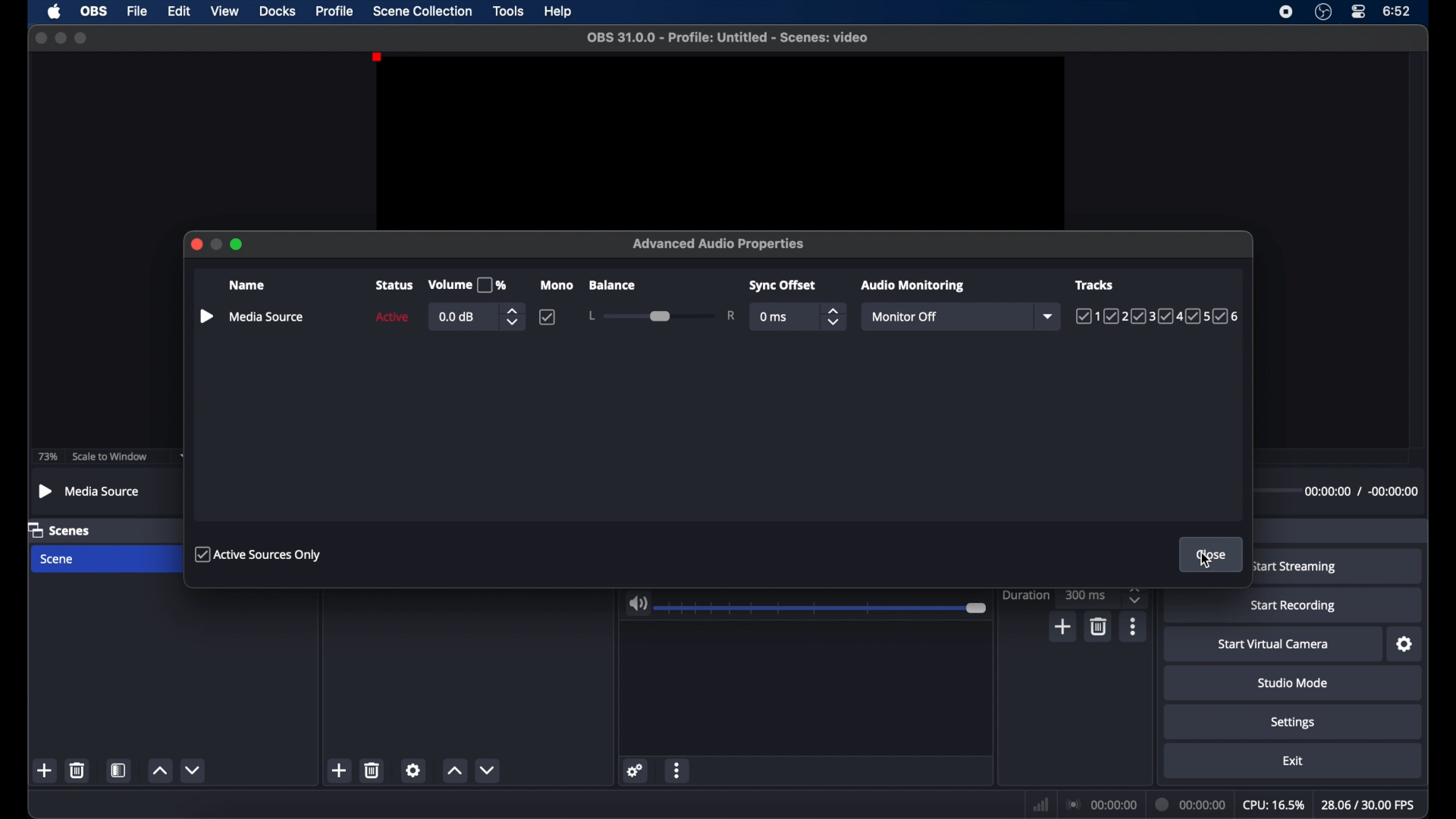 This screenshot has width=1456, height=819. What do you see at coordinates (217, 244) in the screenshot?
I see `minimize` at bounding box center [217, 244].